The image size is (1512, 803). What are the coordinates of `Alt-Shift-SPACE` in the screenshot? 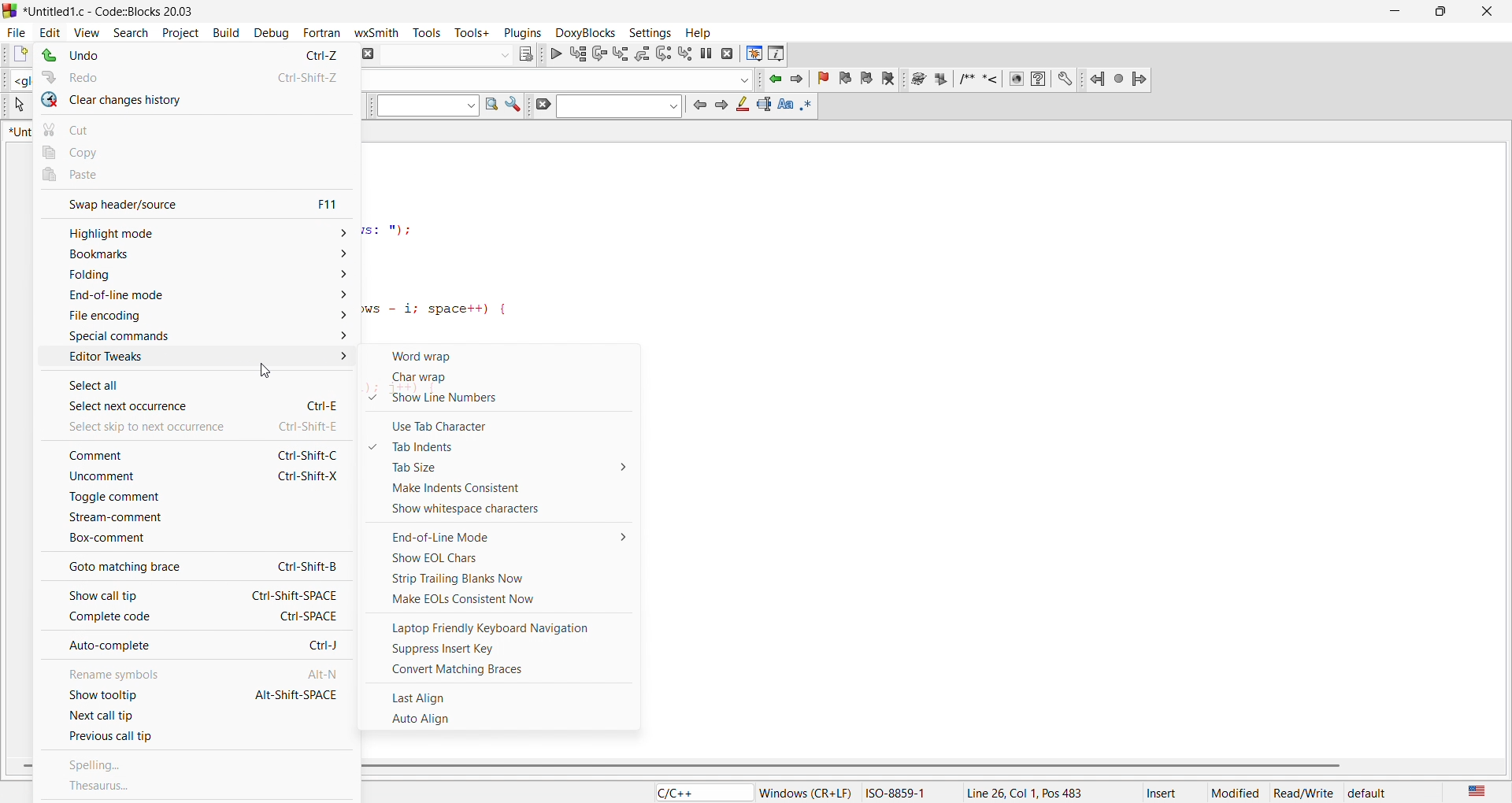 It's located at (295, 694).